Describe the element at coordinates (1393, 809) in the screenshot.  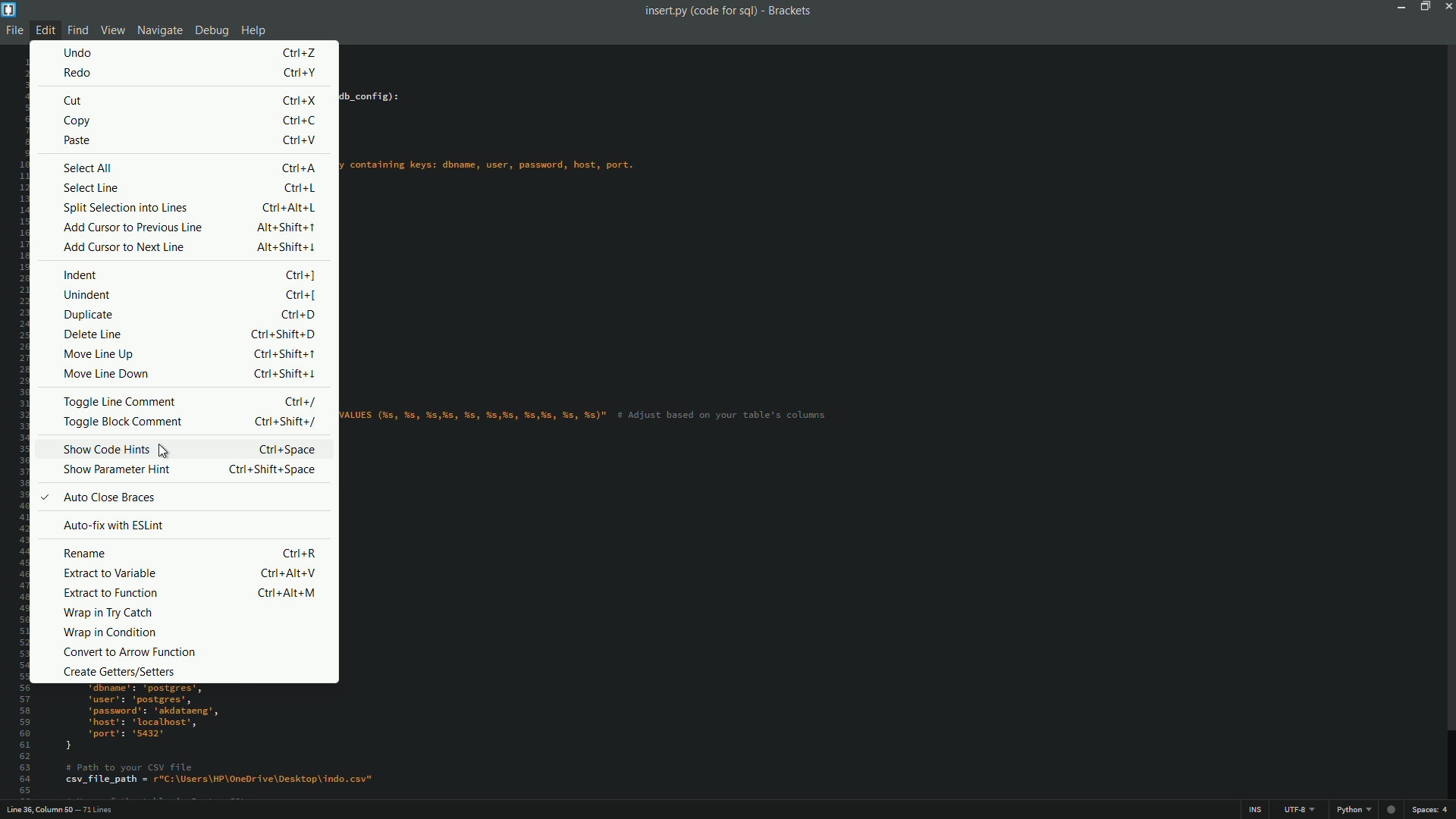
I see `web` at that location.